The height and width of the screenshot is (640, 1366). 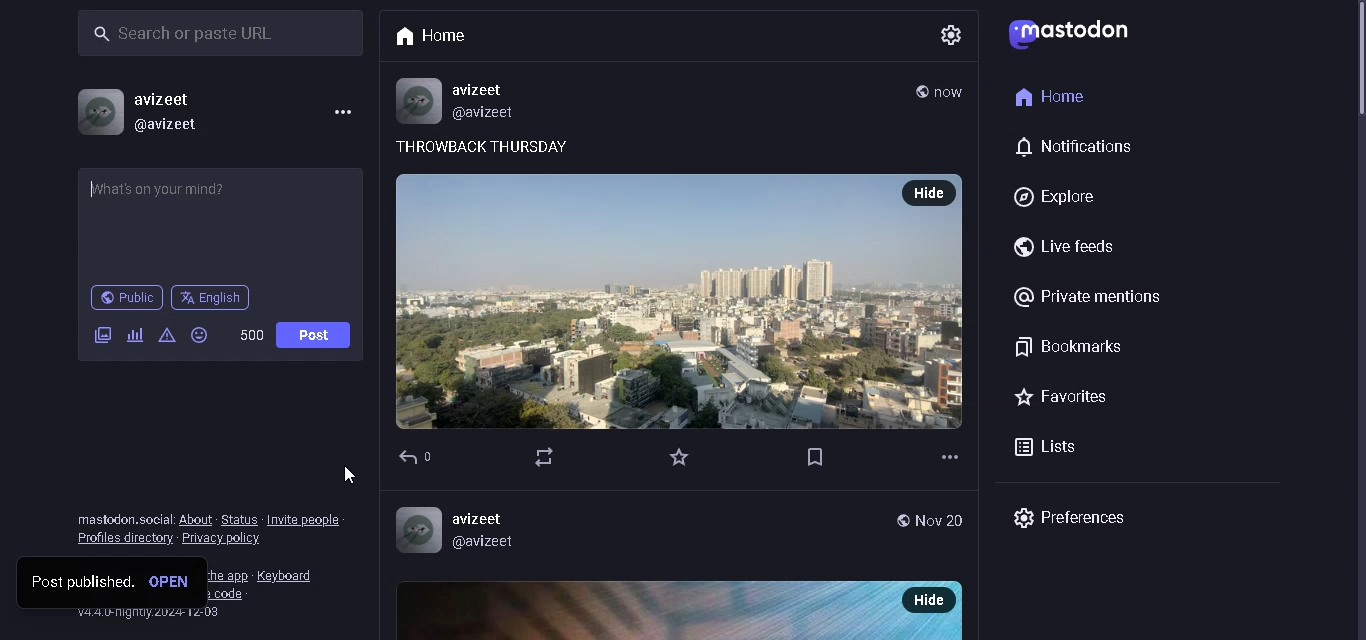 What do you see at coordinates (240, 518) in the screenshot?
I see `status` at bounding box center [240, 518].